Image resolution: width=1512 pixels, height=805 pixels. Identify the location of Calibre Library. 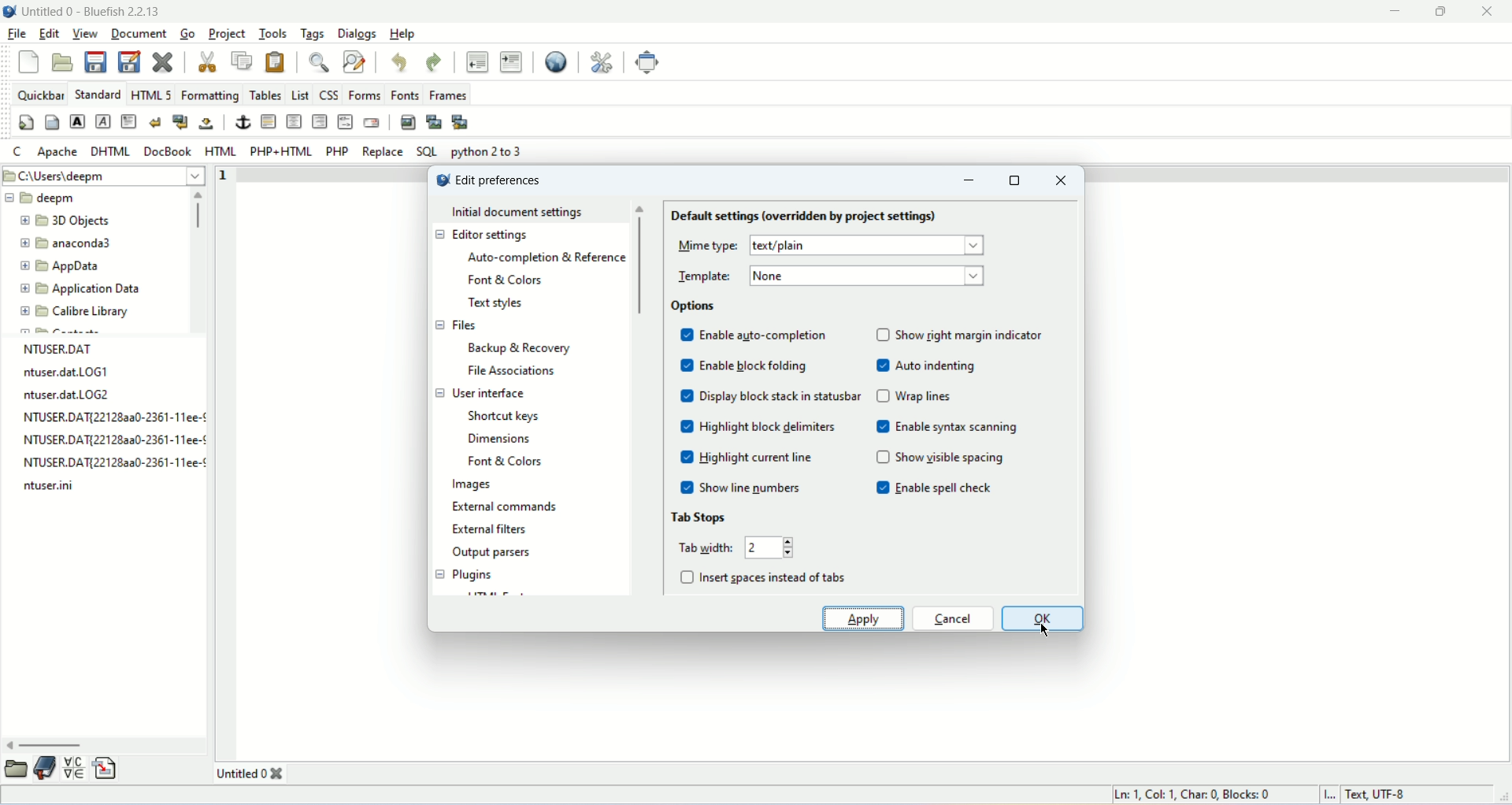
(92, 313).